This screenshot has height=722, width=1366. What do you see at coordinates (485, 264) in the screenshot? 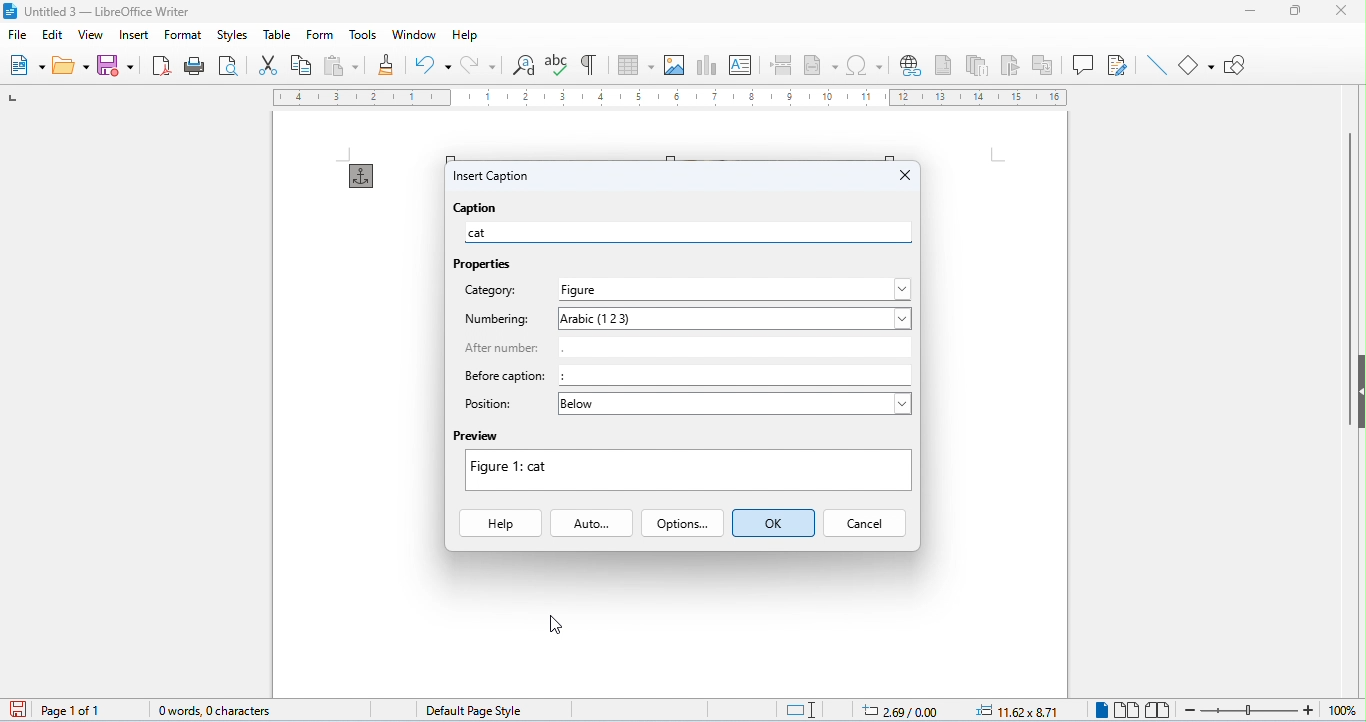
I see `properties` at bounding box center [485, 264].